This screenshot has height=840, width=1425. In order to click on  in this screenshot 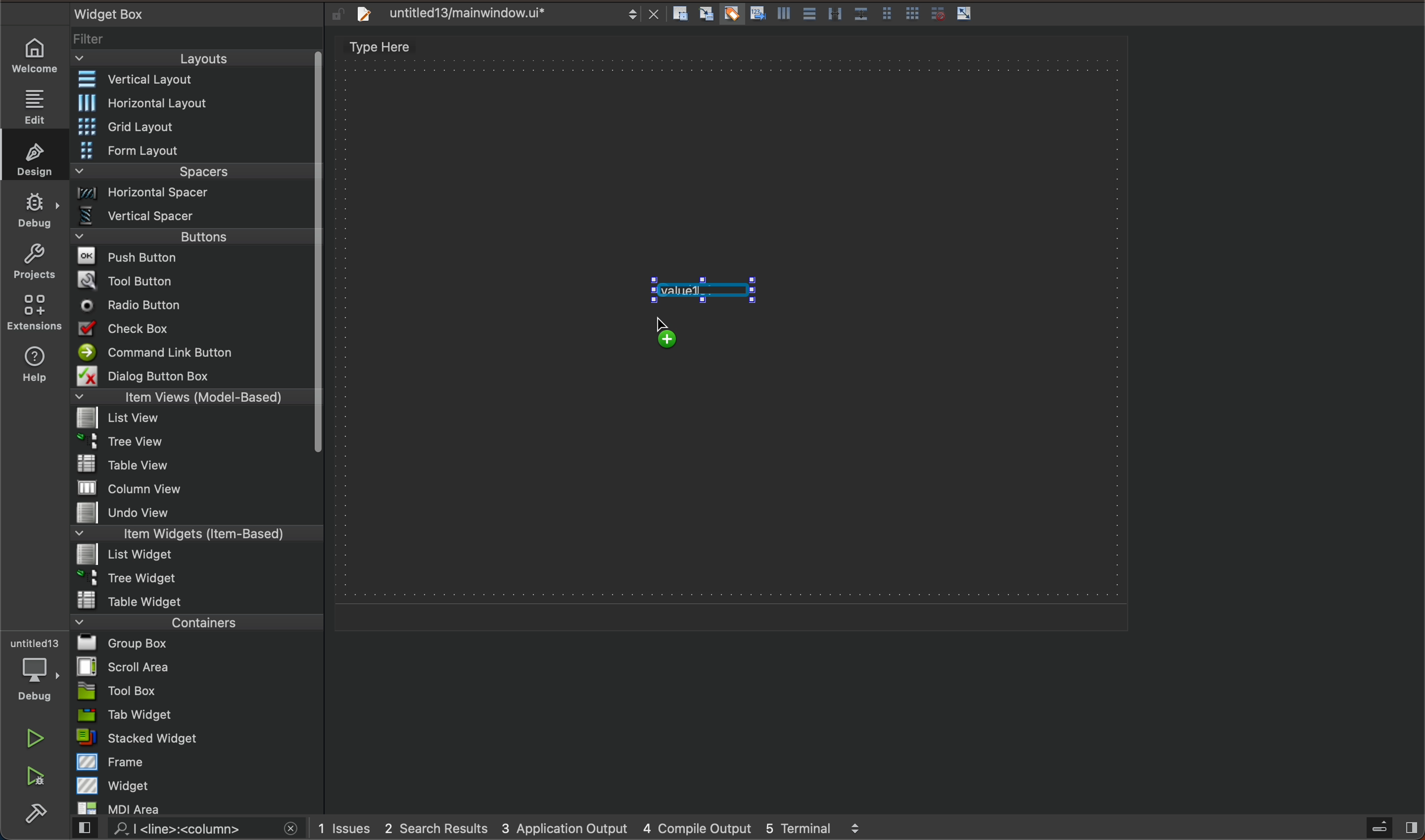, I will do `click(835, 15)`.